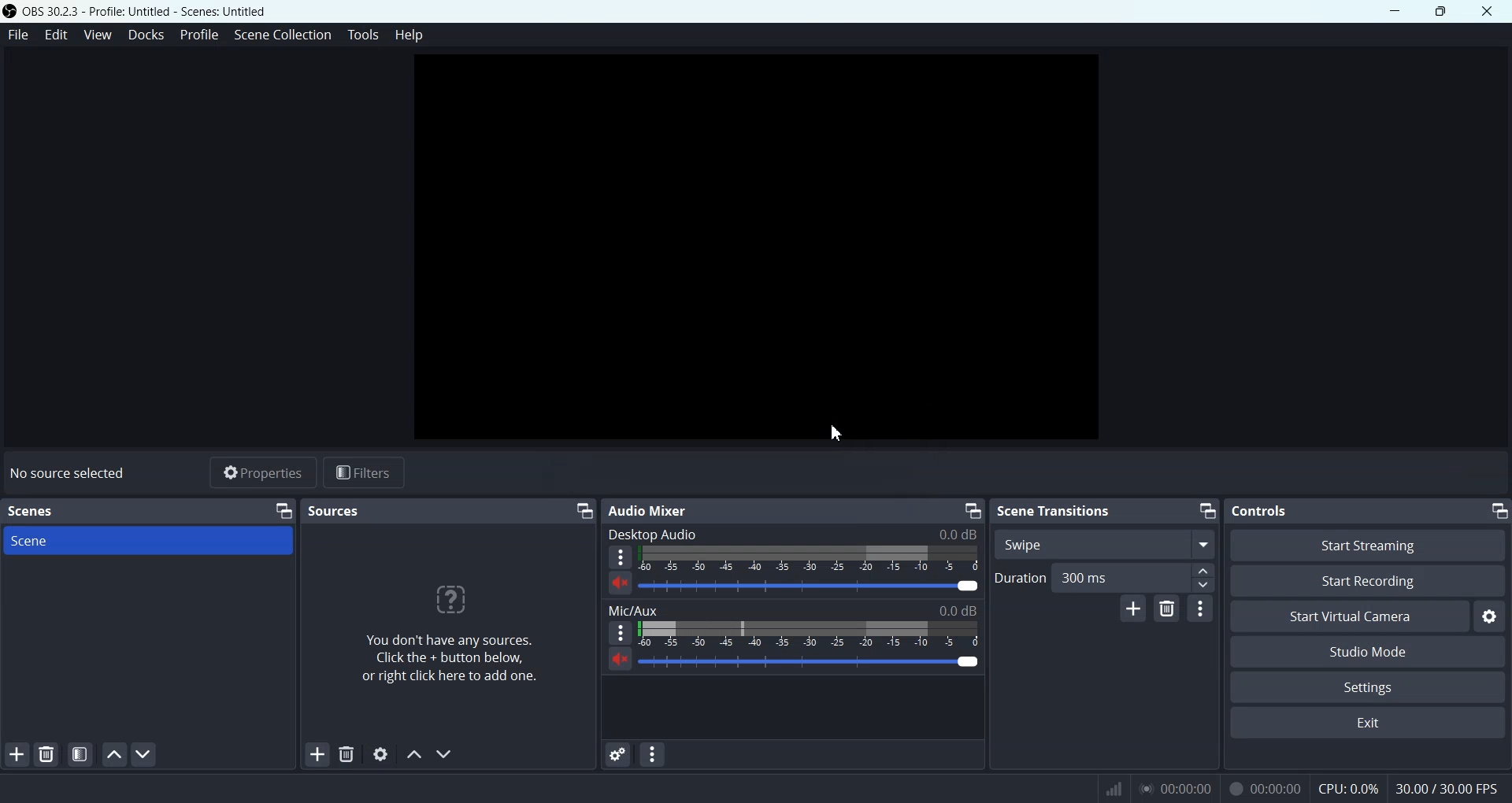  What do you see at coordinates (1449, 787) in the screenshot?
I see `30.00/30.00 FPS` at bounding box center [1449, 787].